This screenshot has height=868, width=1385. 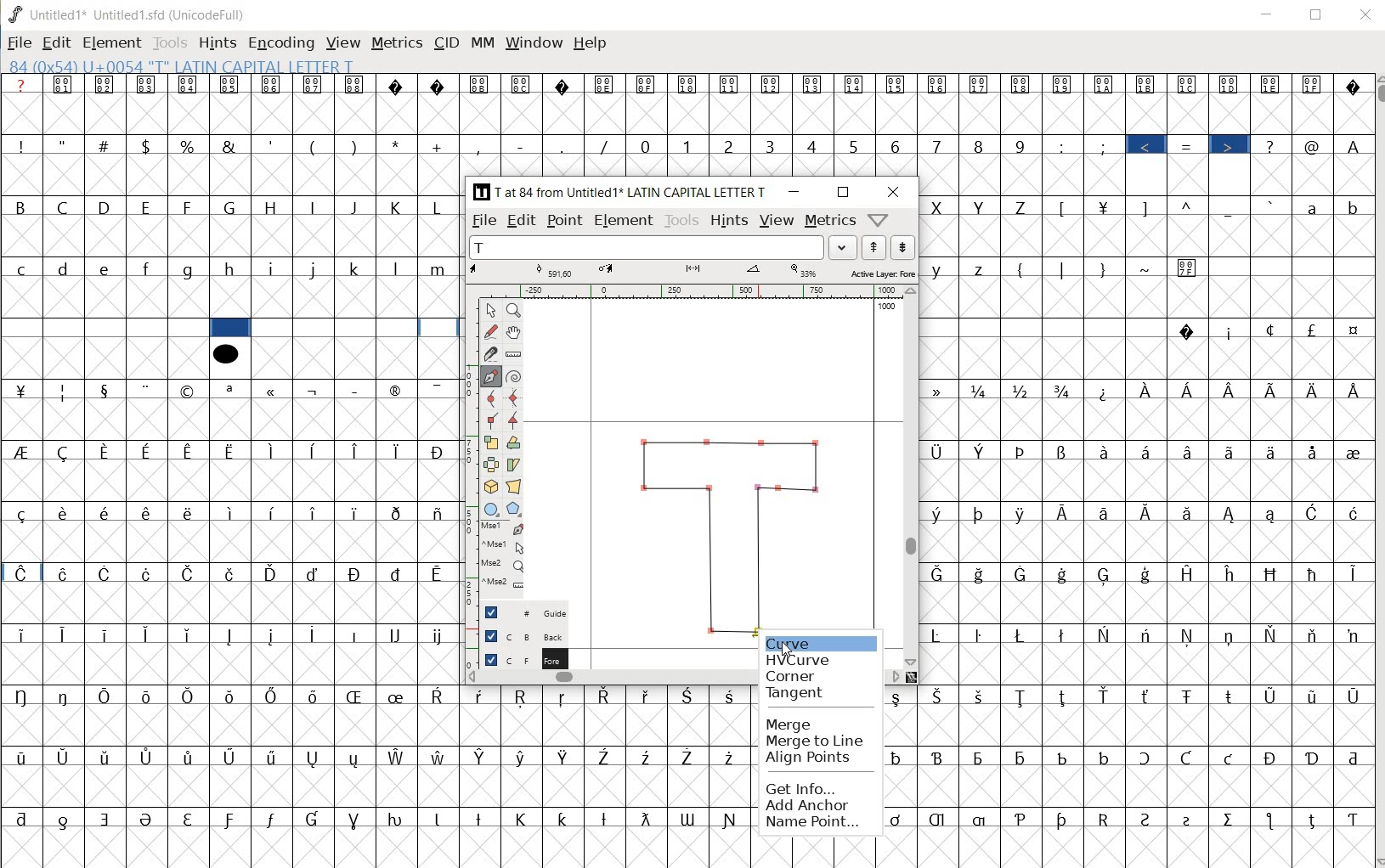 I want to click on Symbol, so click(x=898, y=819).